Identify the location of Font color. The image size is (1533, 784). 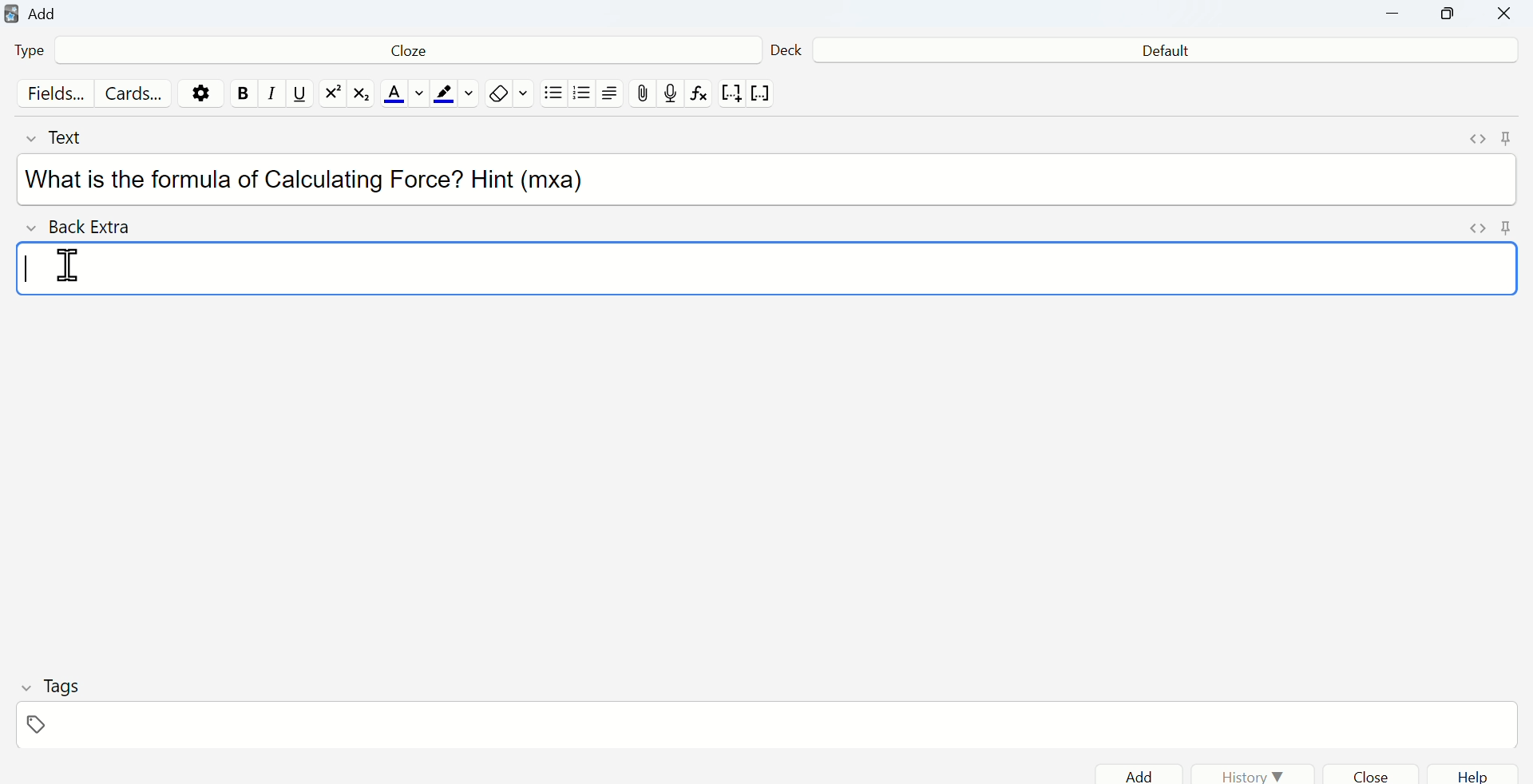
(401, 95).